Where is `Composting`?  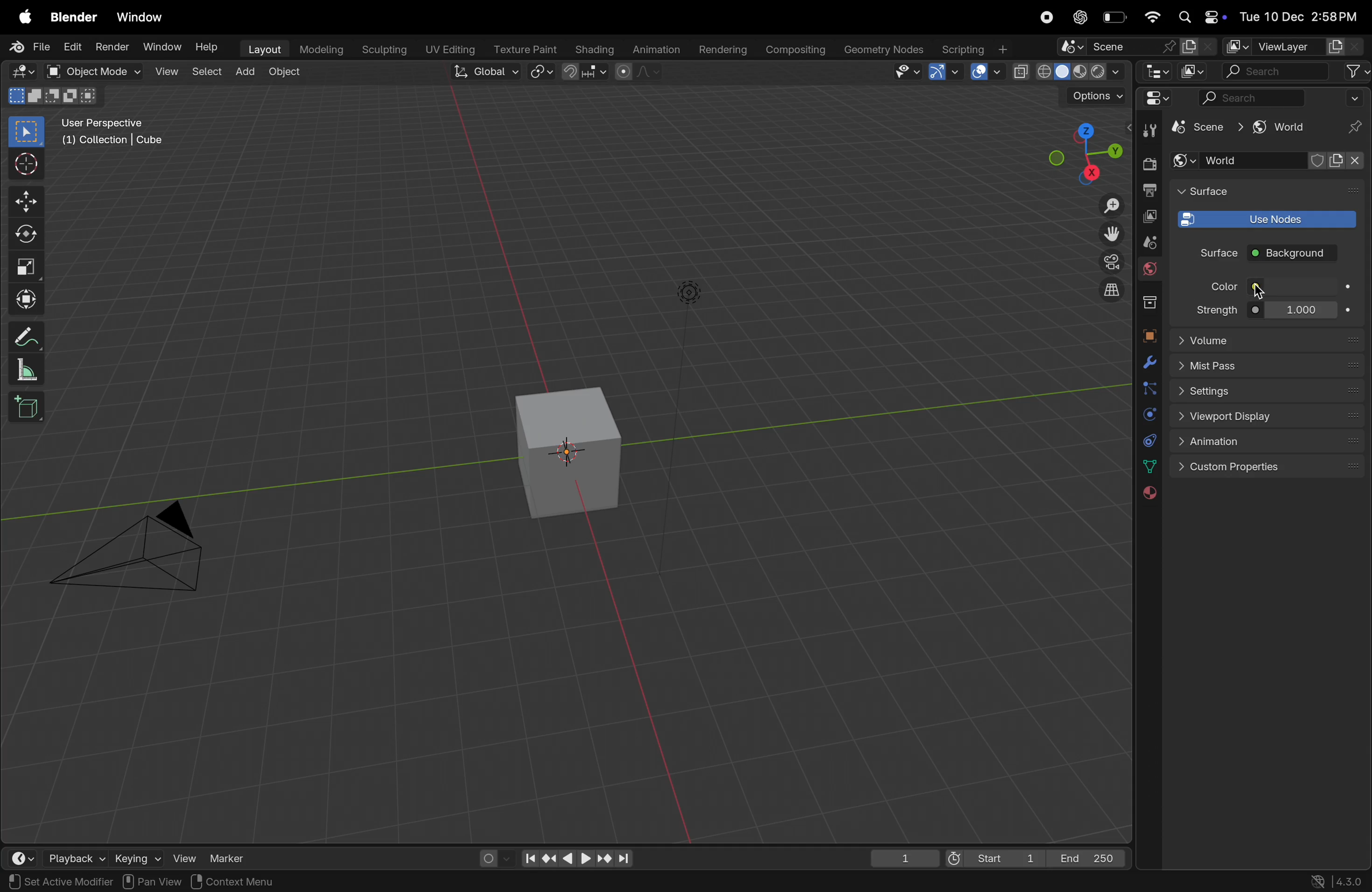 Composting is located at coordinates (798, 51).